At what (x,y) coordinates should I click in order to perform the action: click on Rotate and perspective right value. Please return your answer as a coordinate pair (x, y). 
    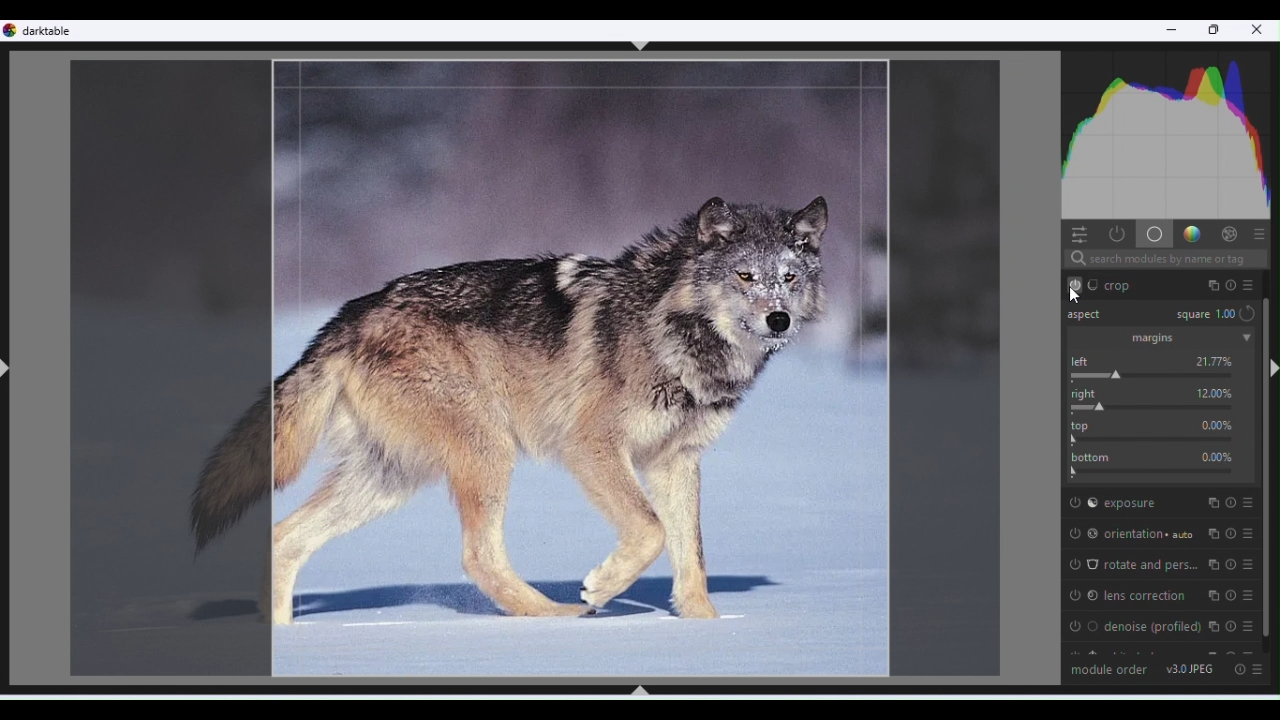
    Looking at the image, I should click on (1163, 408).